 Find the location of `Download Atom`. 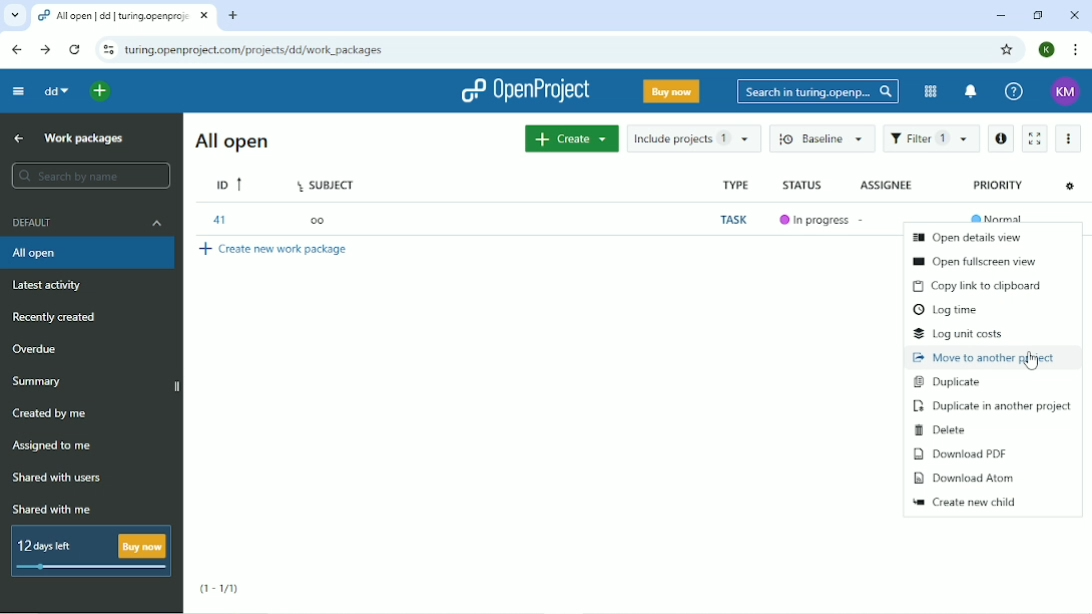

Download Atom is located at coordinates (965, 478).